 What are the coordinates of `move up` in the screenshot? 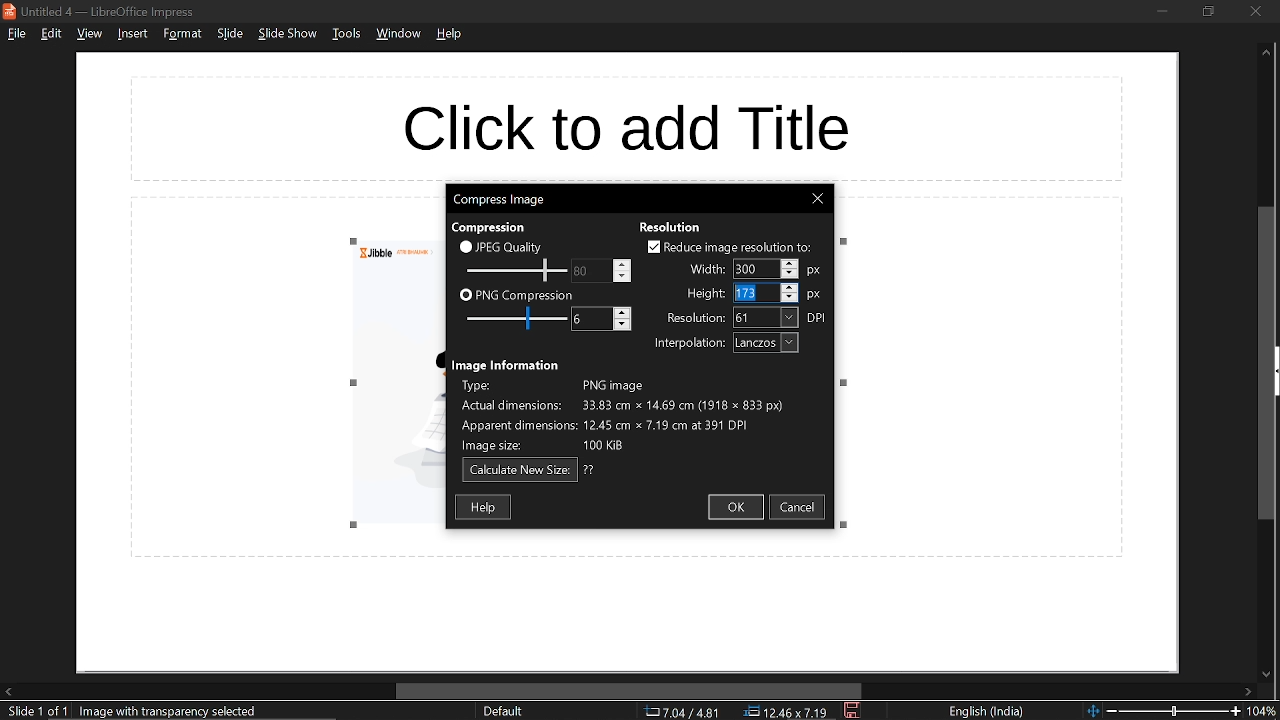 It's located at (1266, 56).